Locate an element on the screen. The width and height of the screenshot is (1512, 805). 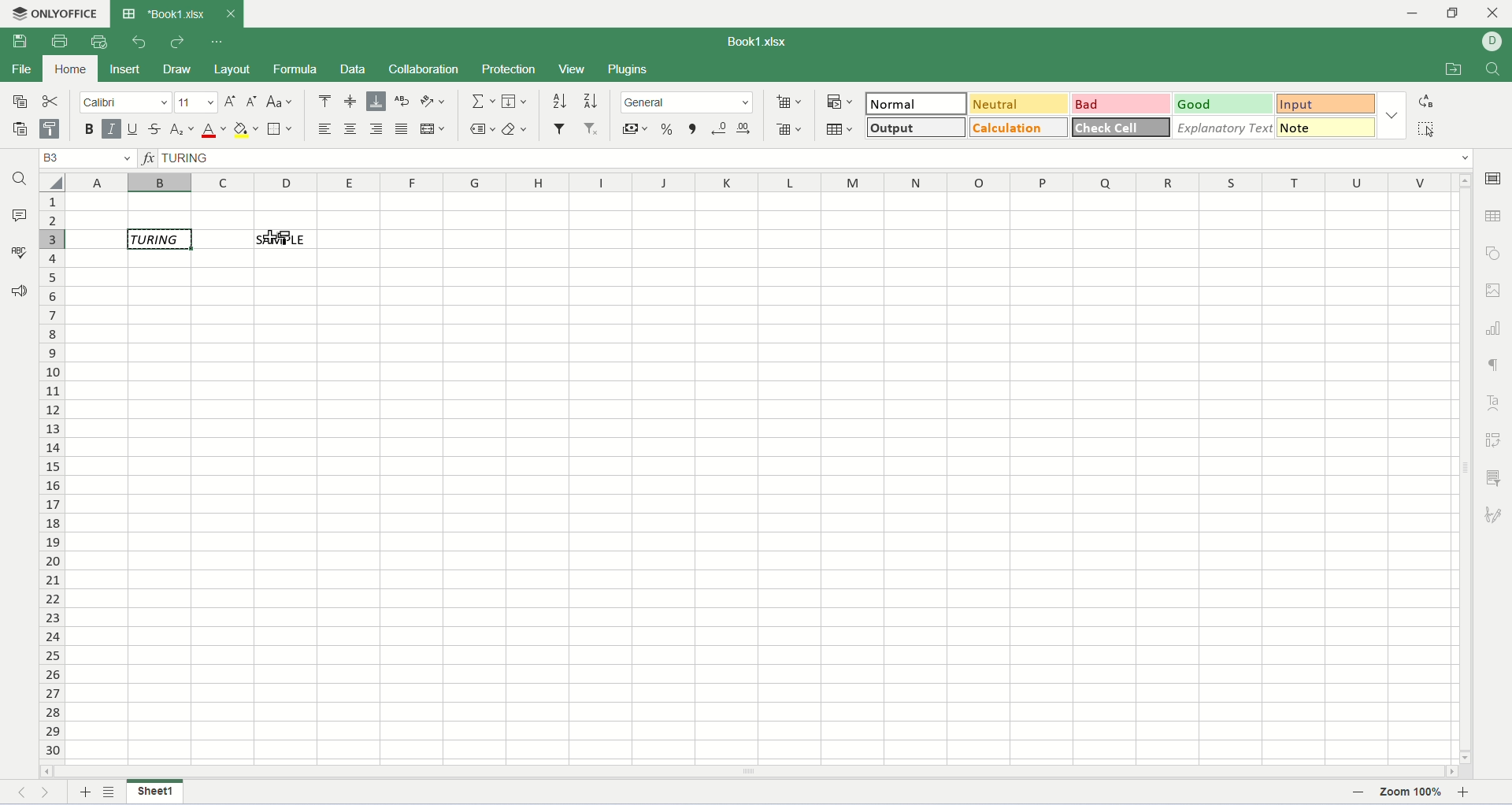
column name is located at coordinates (764, 184).